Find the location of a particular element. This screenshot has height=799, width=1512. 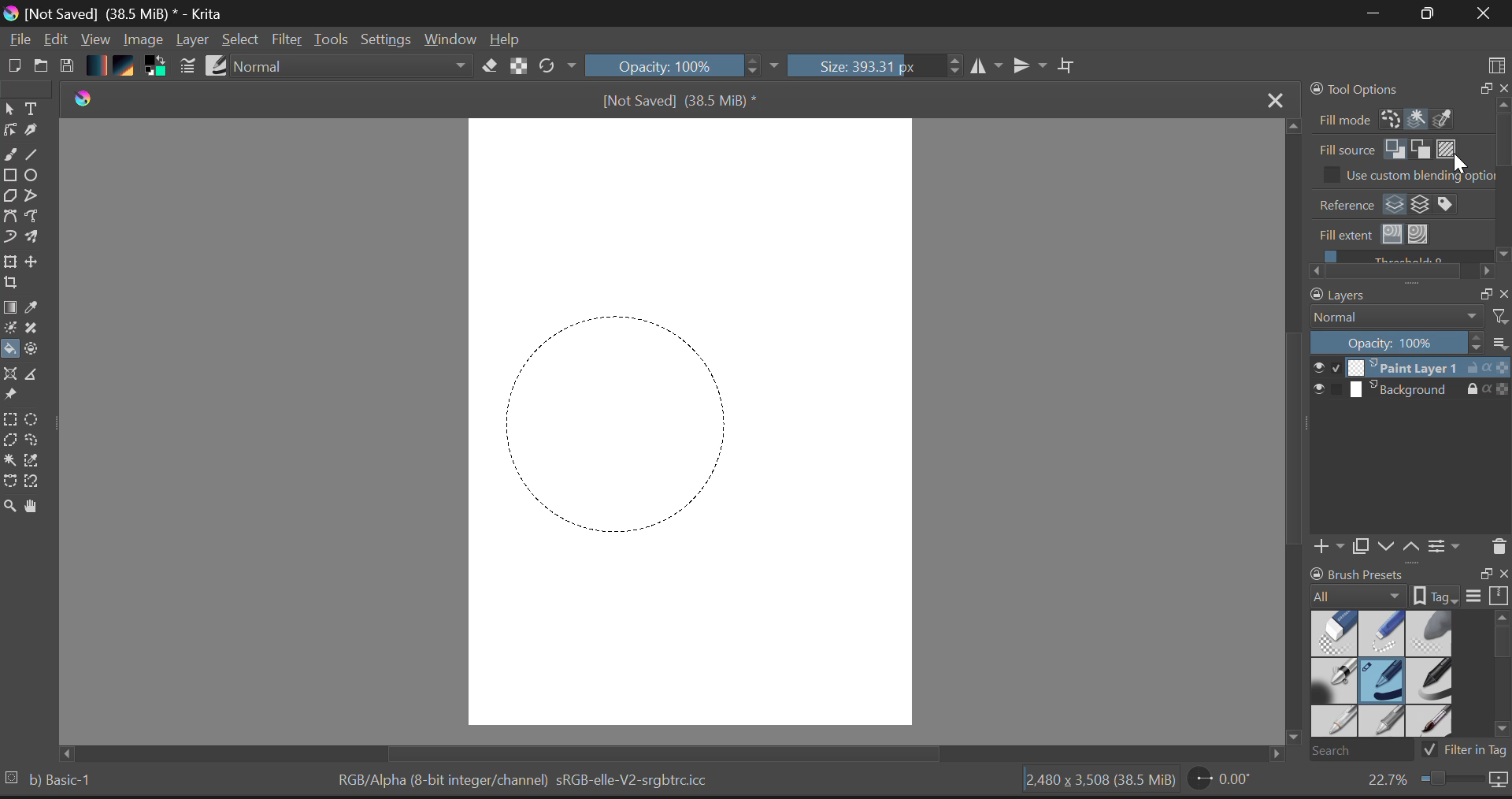

Minimize is located at coordinates (1423, 13).